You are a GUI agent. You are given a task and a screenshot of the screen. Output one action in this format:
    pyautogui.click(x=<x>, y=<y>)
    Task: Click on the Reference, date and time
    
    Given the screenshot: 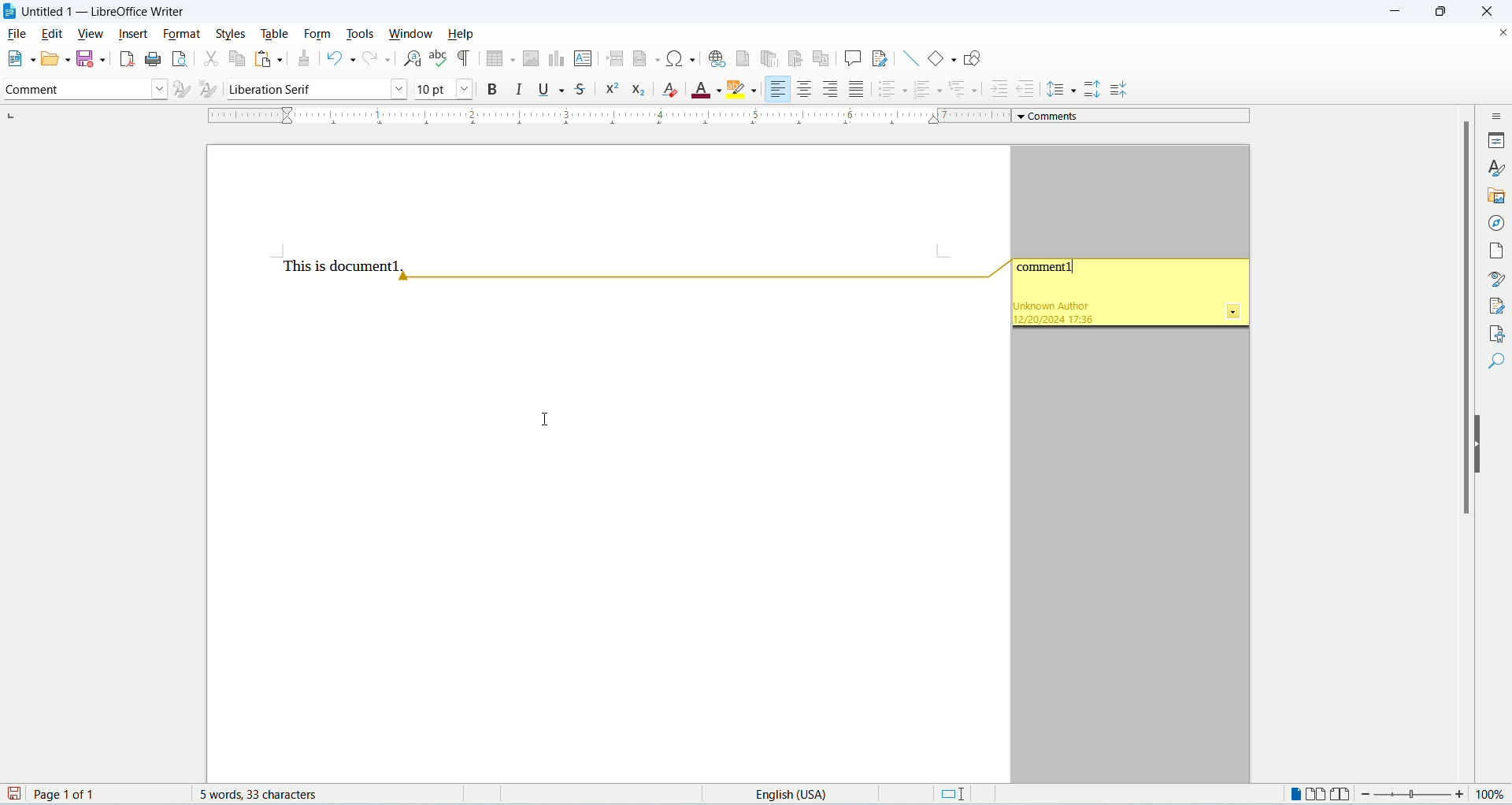 What is the action you would take?
    pyautogui.click(x=1066, y=313)
    